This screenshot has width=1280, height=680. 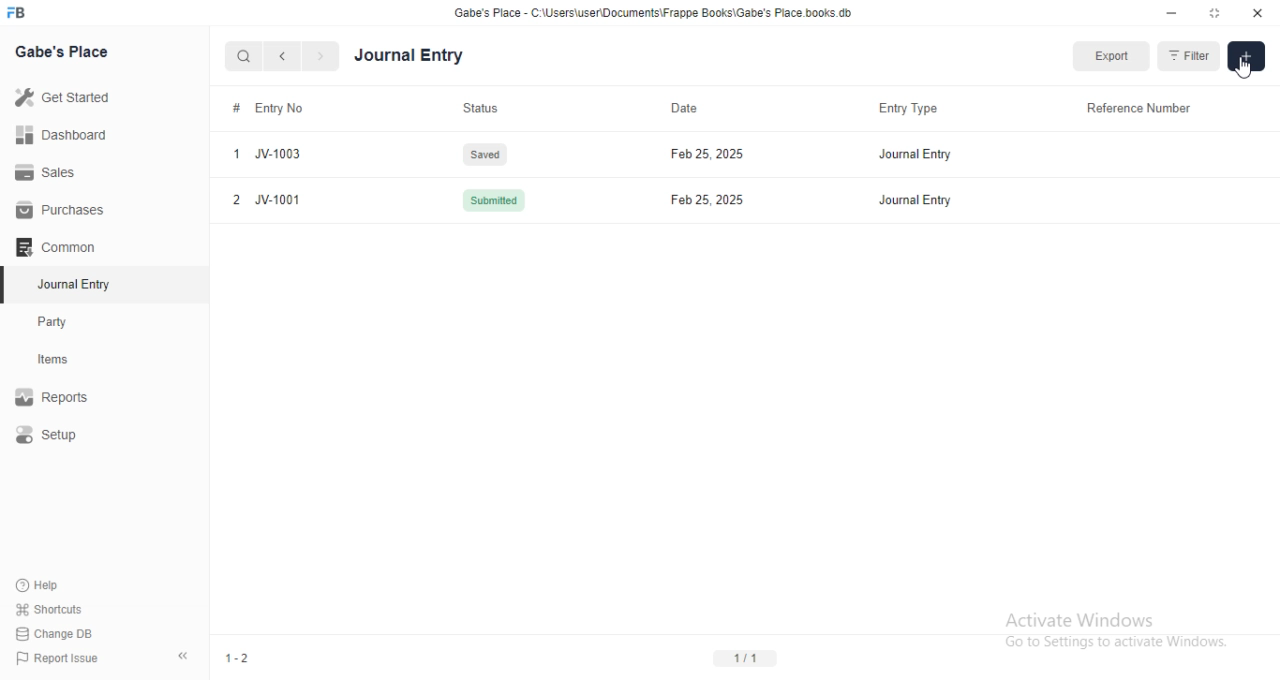 I want to click on Next, so click(x=319, y=56).